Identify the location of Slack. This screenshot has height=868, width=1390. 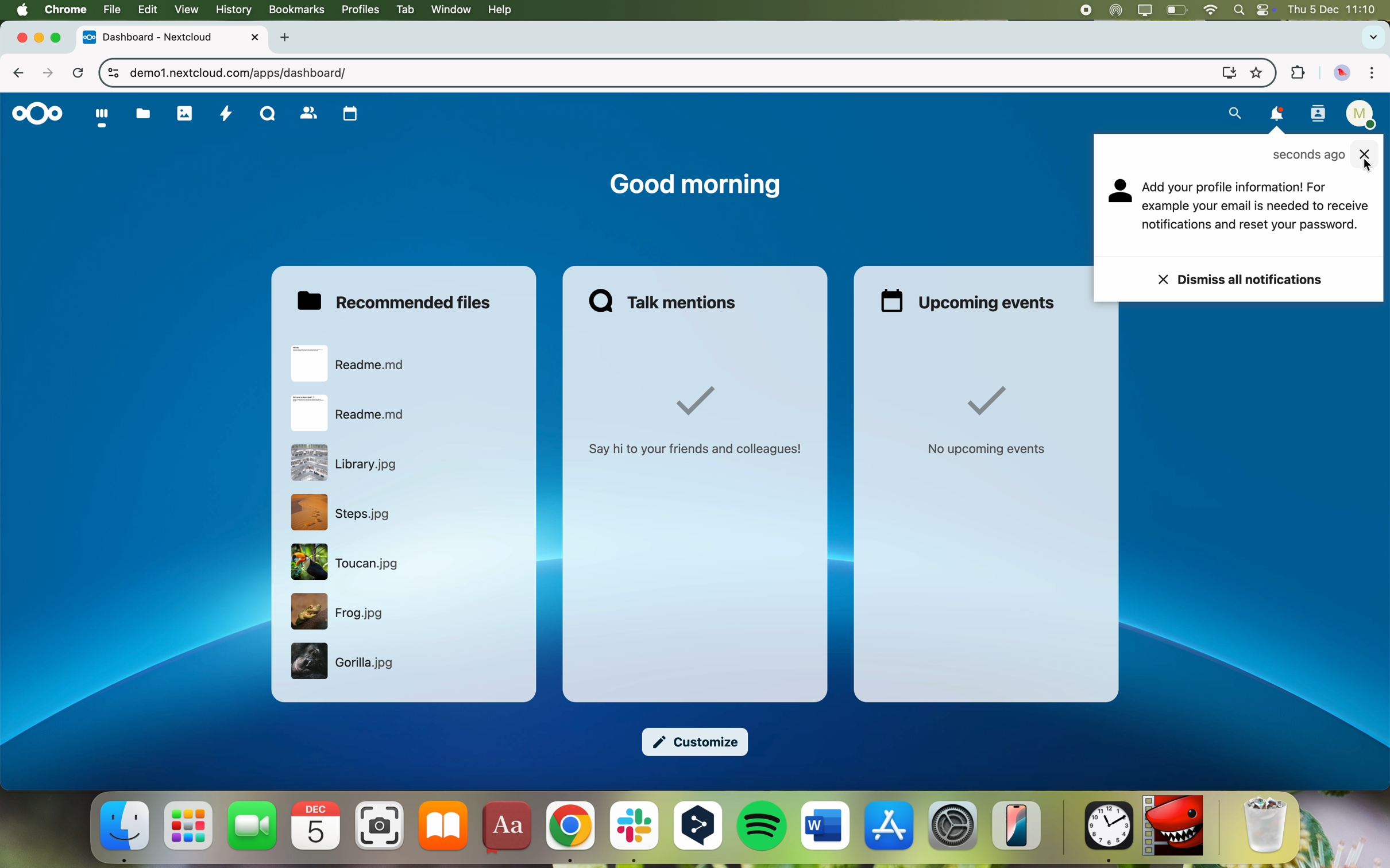
(633, 834).